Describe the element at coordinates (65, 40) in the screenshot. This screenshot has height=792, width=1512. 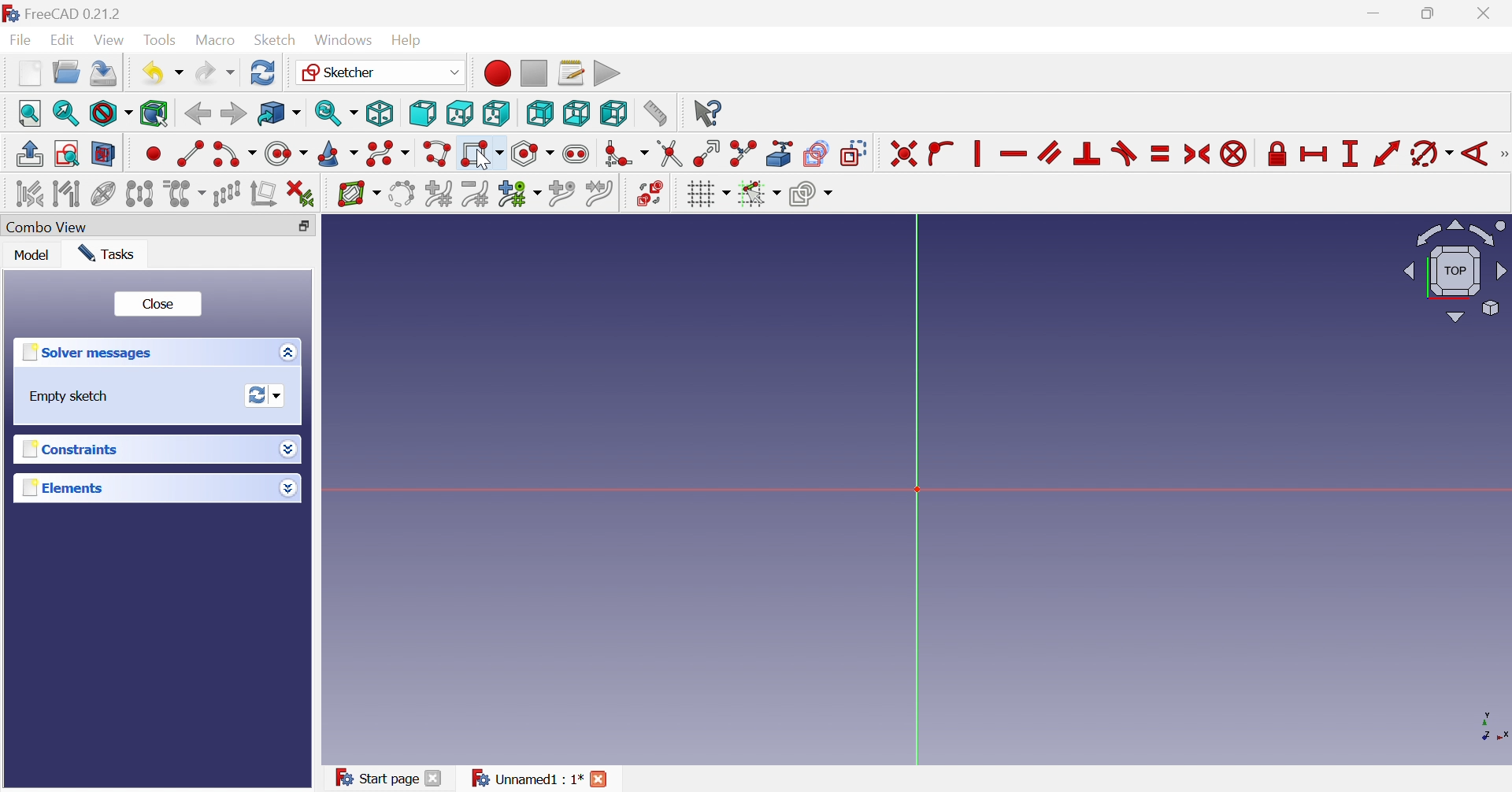
I see `Edit` at that location.